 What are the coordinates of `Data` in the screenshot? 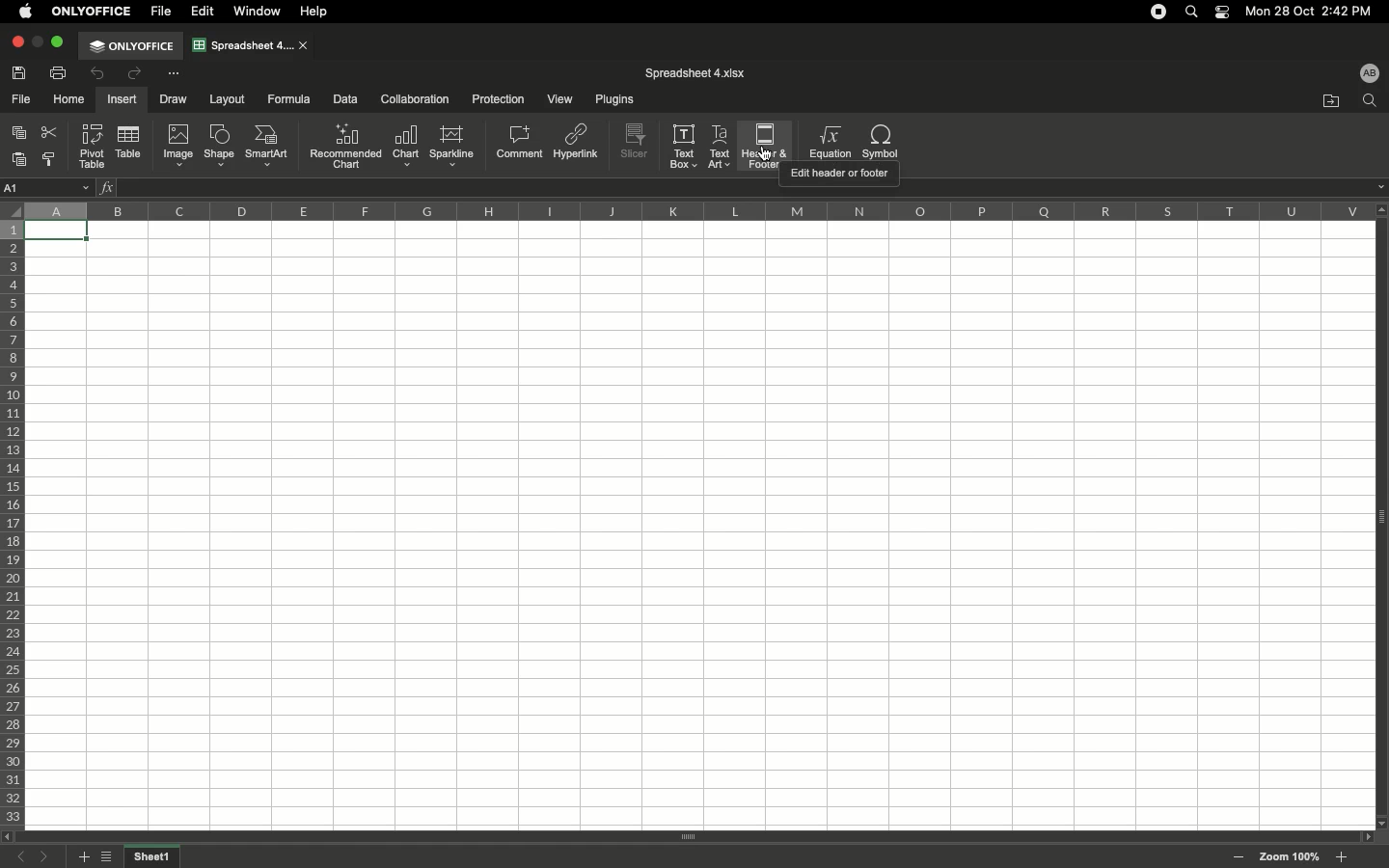 It's located at (345, 98).